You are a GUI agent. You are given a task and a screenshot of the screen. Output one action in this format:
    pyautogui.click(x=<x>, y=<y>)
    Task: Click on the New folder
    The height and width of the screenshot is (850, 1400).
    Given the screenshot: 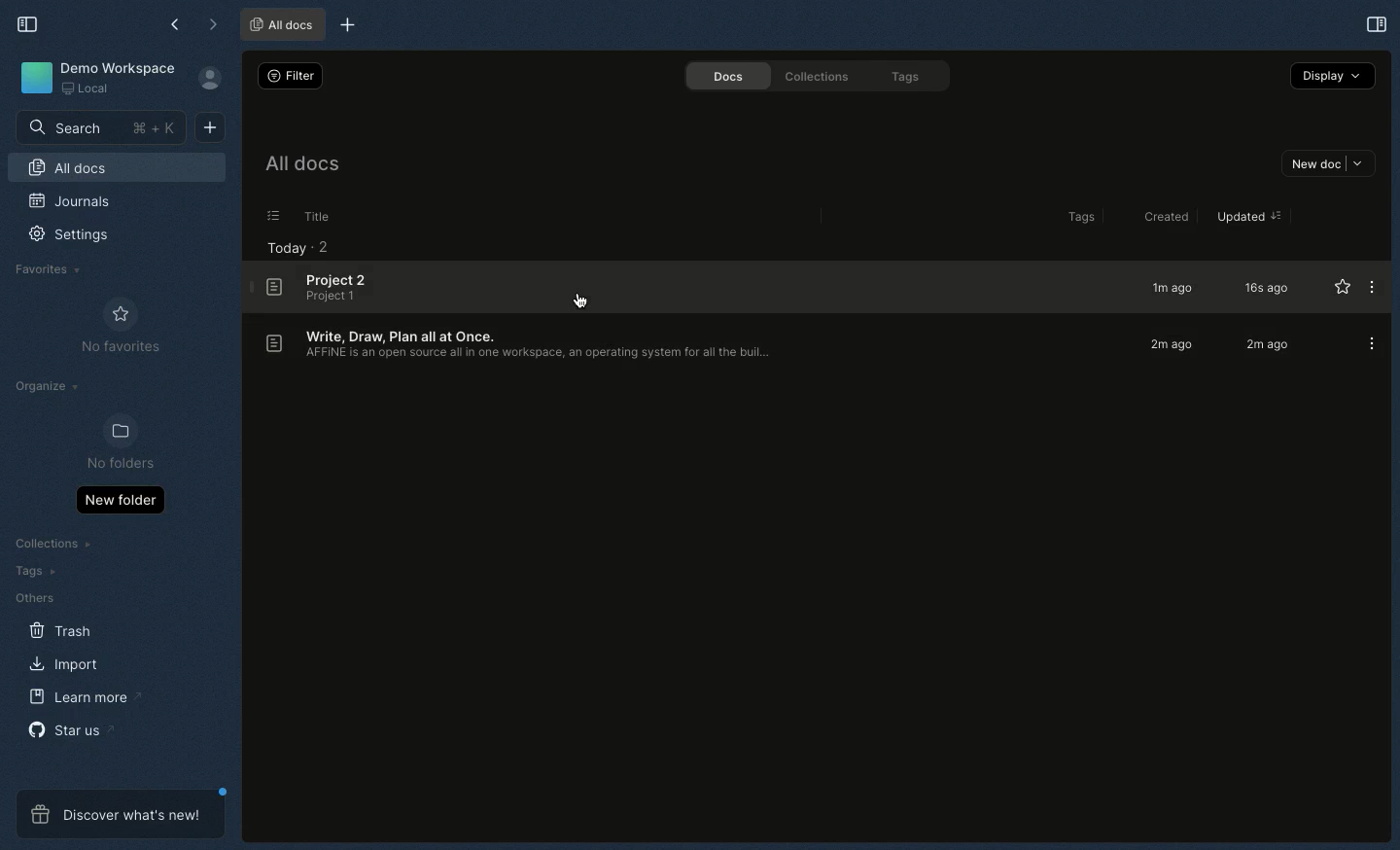 What is the action you would take?
    pyautogui.click(x=118, y=502)
    